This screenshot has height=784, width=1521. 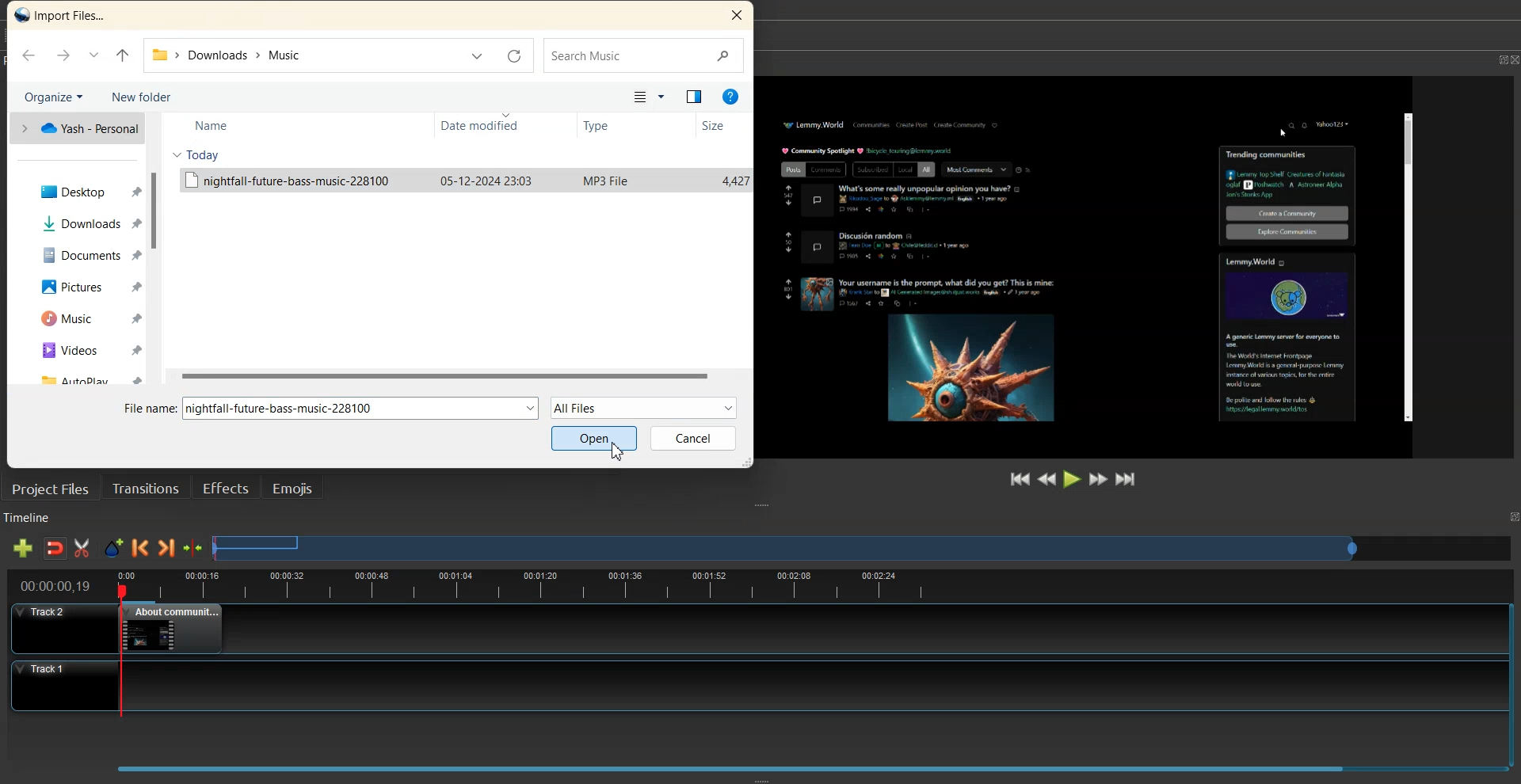 What do you see at coordinates (617, 451) in the screenshot?
I see `Cursor` at bounding box center [617, 451].